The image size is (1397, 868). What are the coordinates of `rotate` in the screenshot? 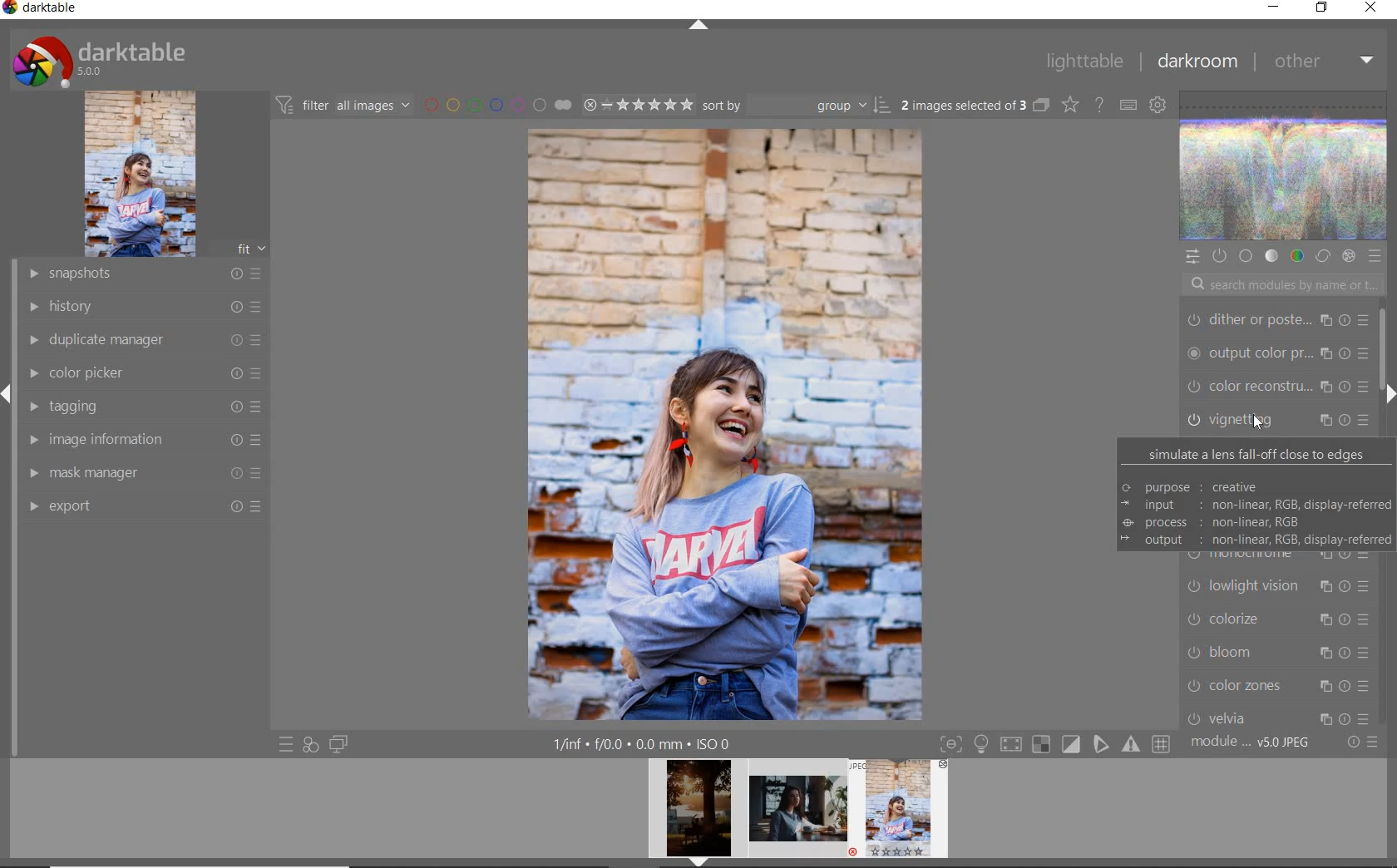 It's located at (1281, 619).